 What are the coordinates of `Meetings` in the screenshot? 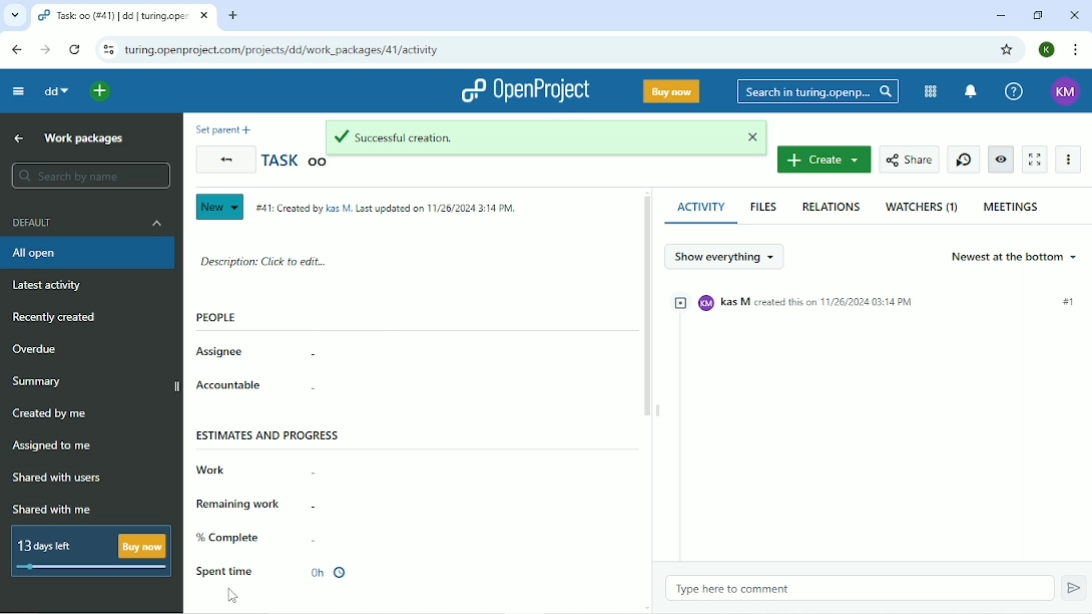 It's located at (1012, 206).